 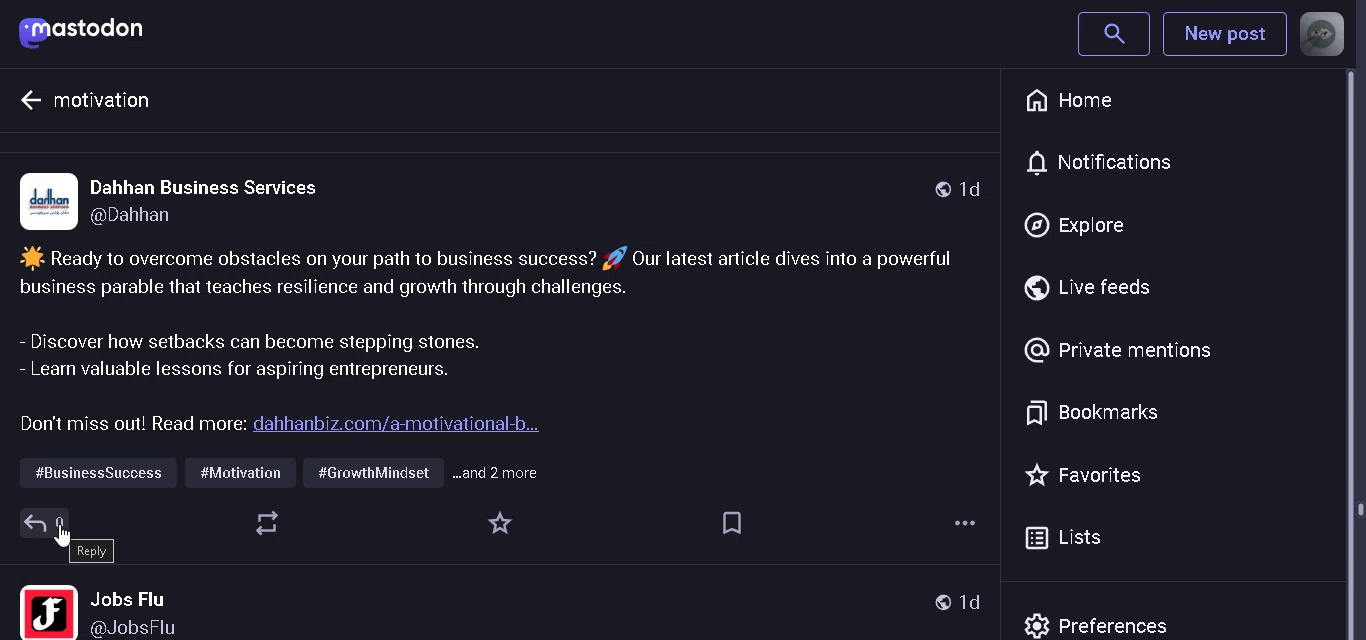 What do you see at coordinates (149, 612) in the screenshot?
I see `profile name` at bounding box center [149, 612].